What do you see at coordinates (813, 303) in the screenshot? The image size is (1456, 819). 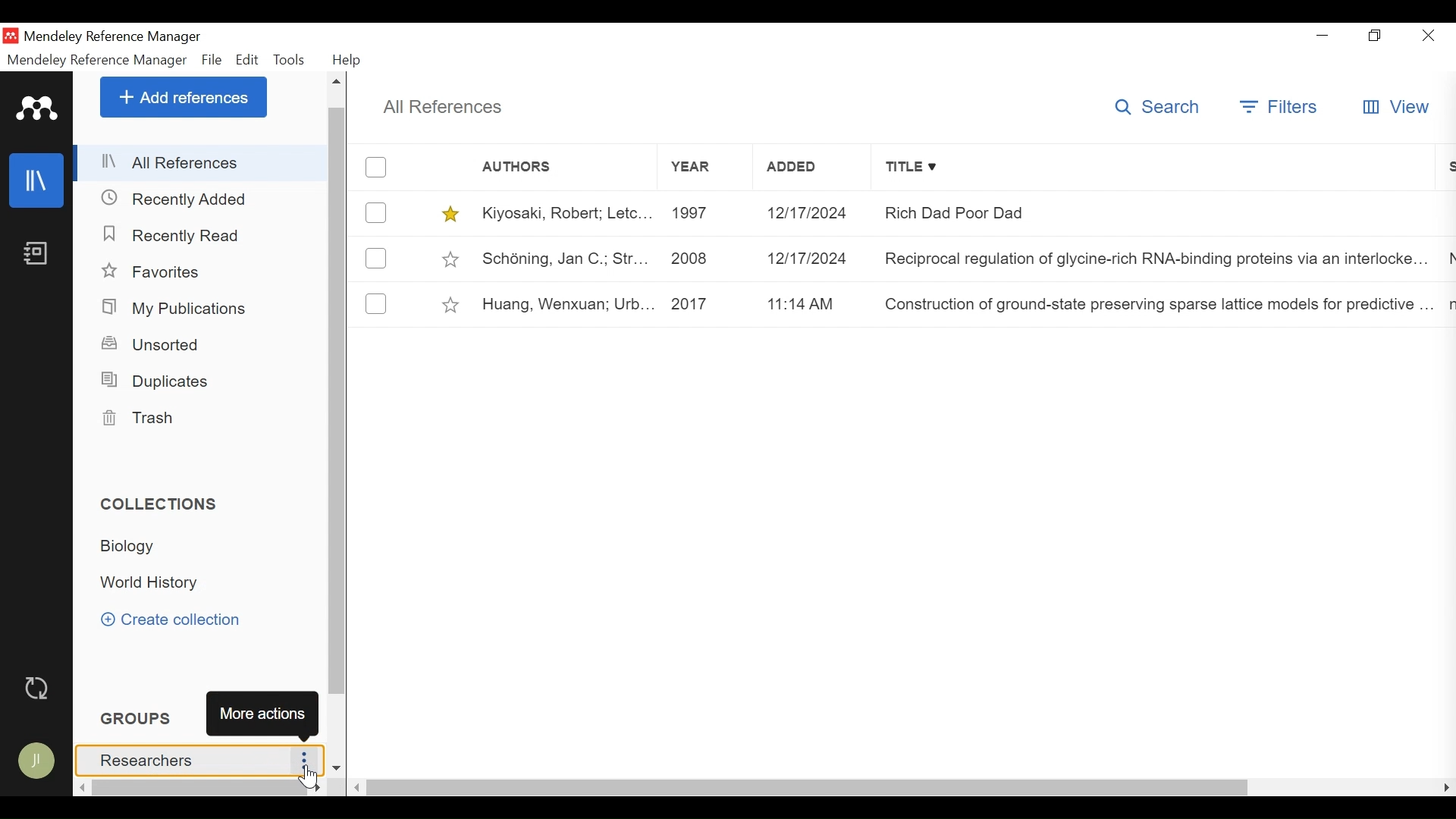 I see `11:14 am` at bounding box center [813, 303].